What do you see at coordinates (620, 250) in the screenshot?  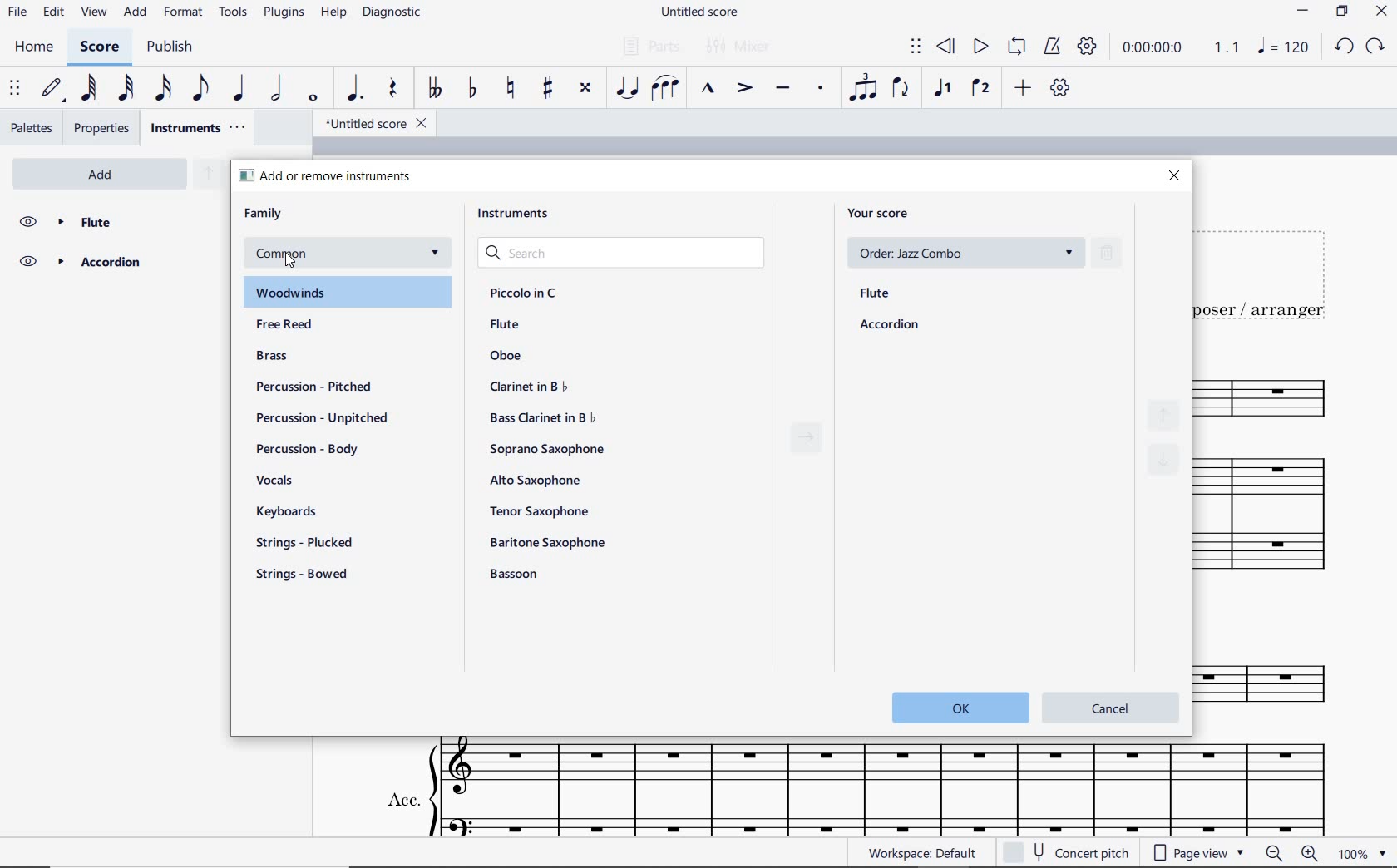 I see `search` at bounding box center [620, 250].